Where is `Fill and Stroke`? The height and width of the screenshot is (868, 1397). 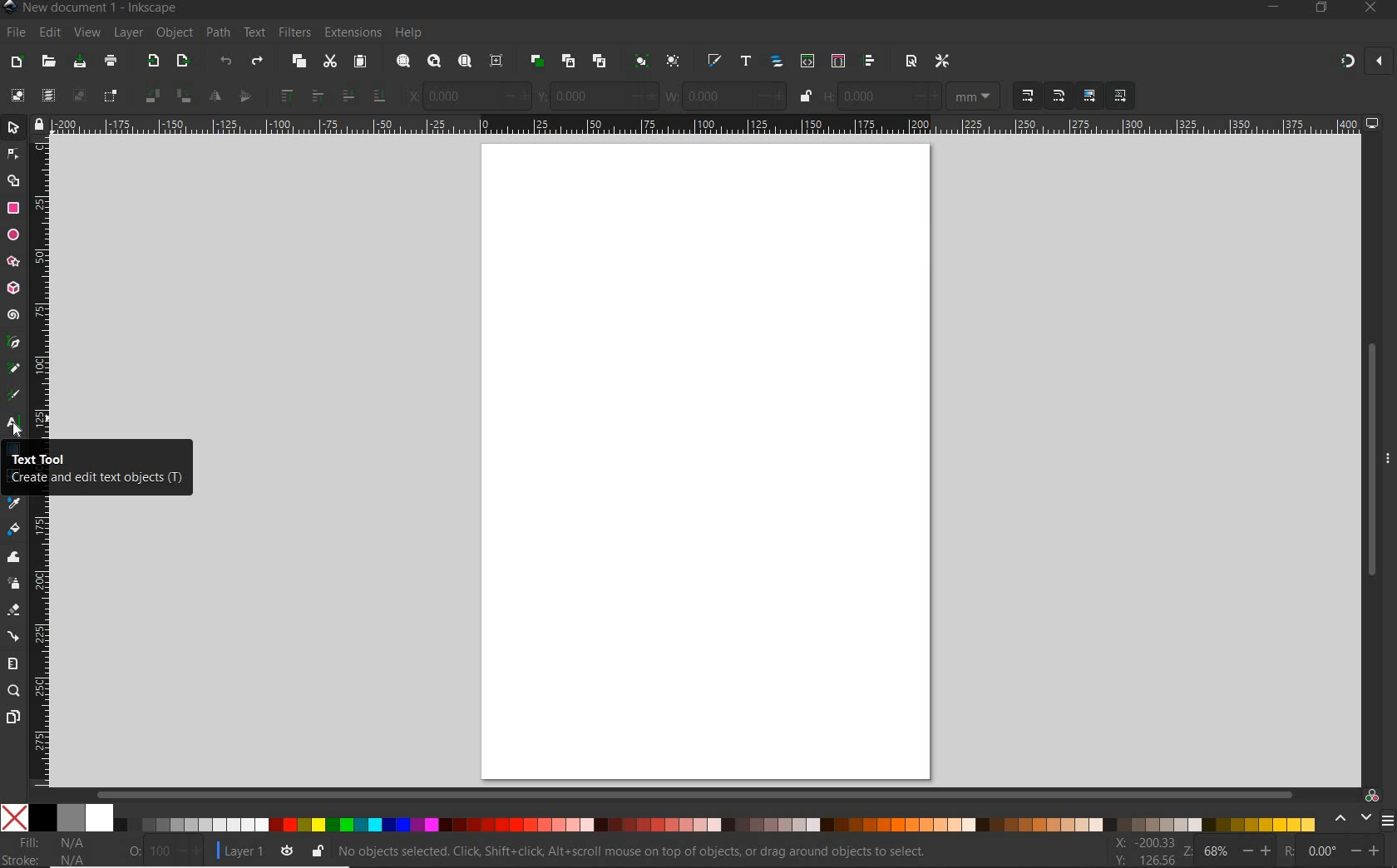 Fill and Stroke is located at coordinates (52, 851).